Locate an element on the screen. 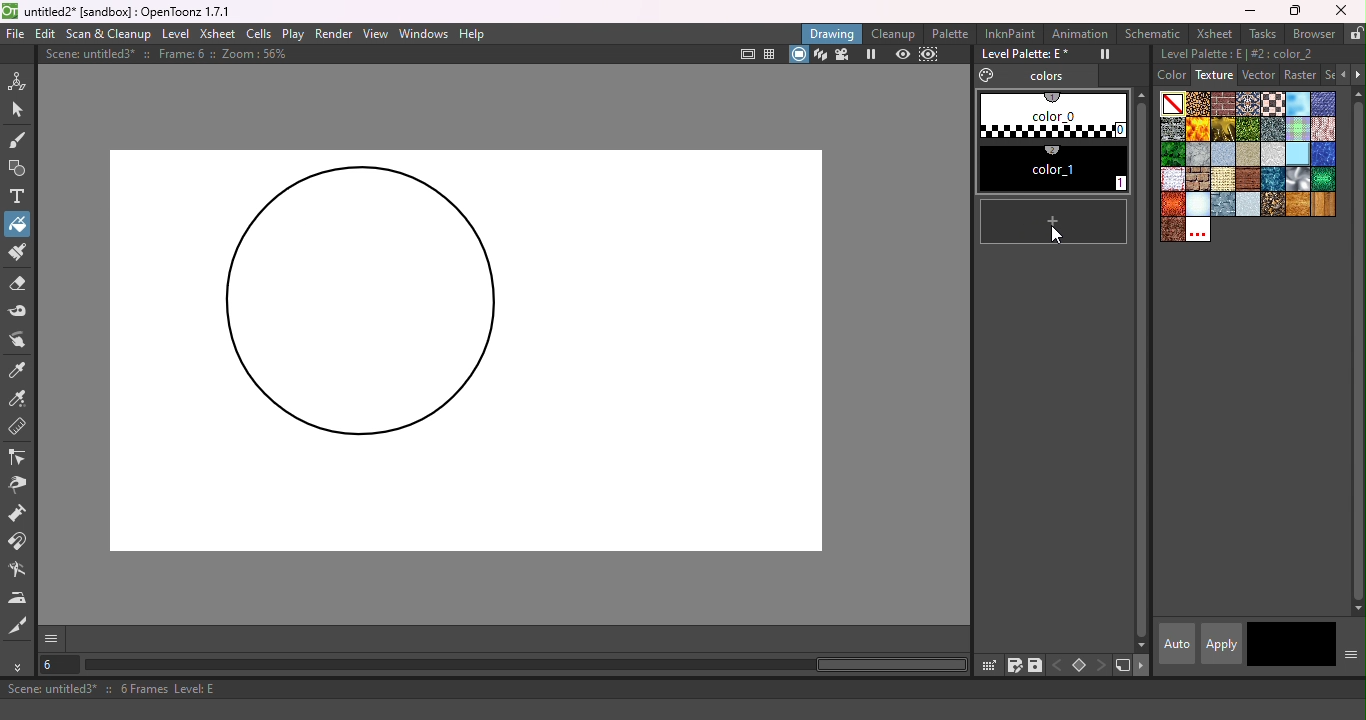 The height and width of the screenshot is (720, 1366). Cutter tool is located at coordinates (18, 627).